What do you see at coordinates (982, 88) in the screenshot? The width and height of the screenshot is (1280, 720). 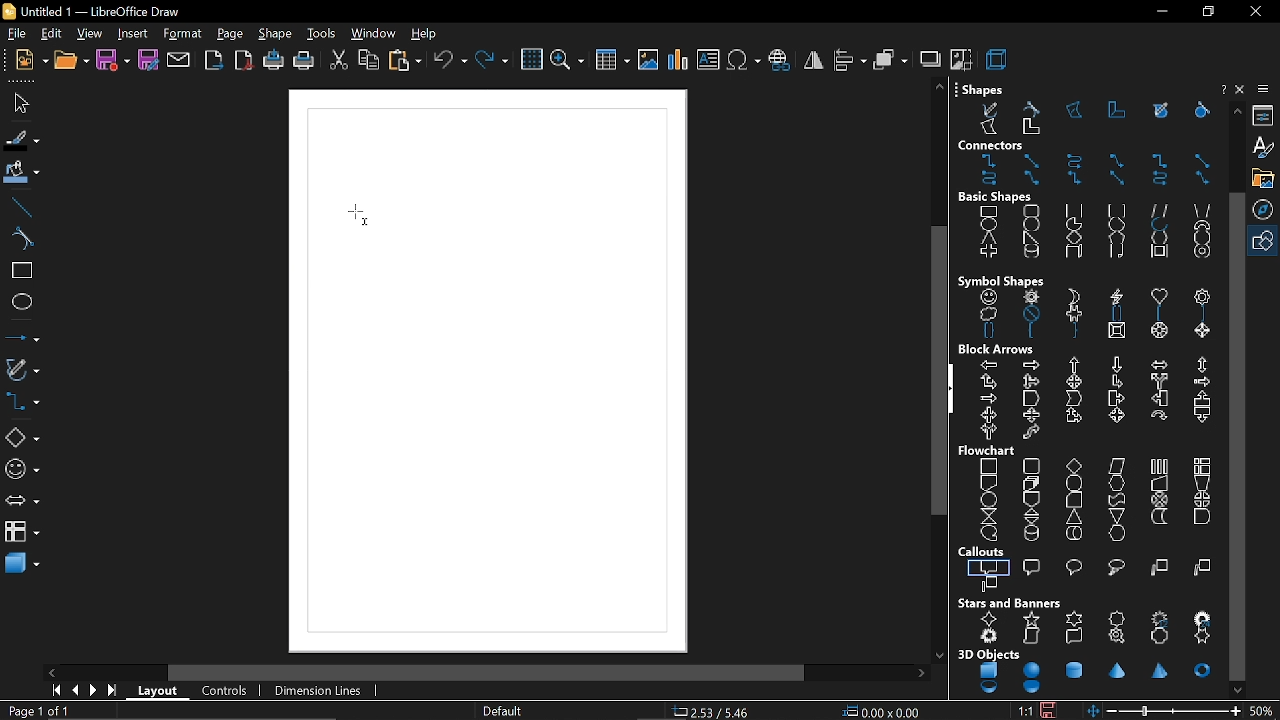 I see `shapes` at bounding box center [982, 88].